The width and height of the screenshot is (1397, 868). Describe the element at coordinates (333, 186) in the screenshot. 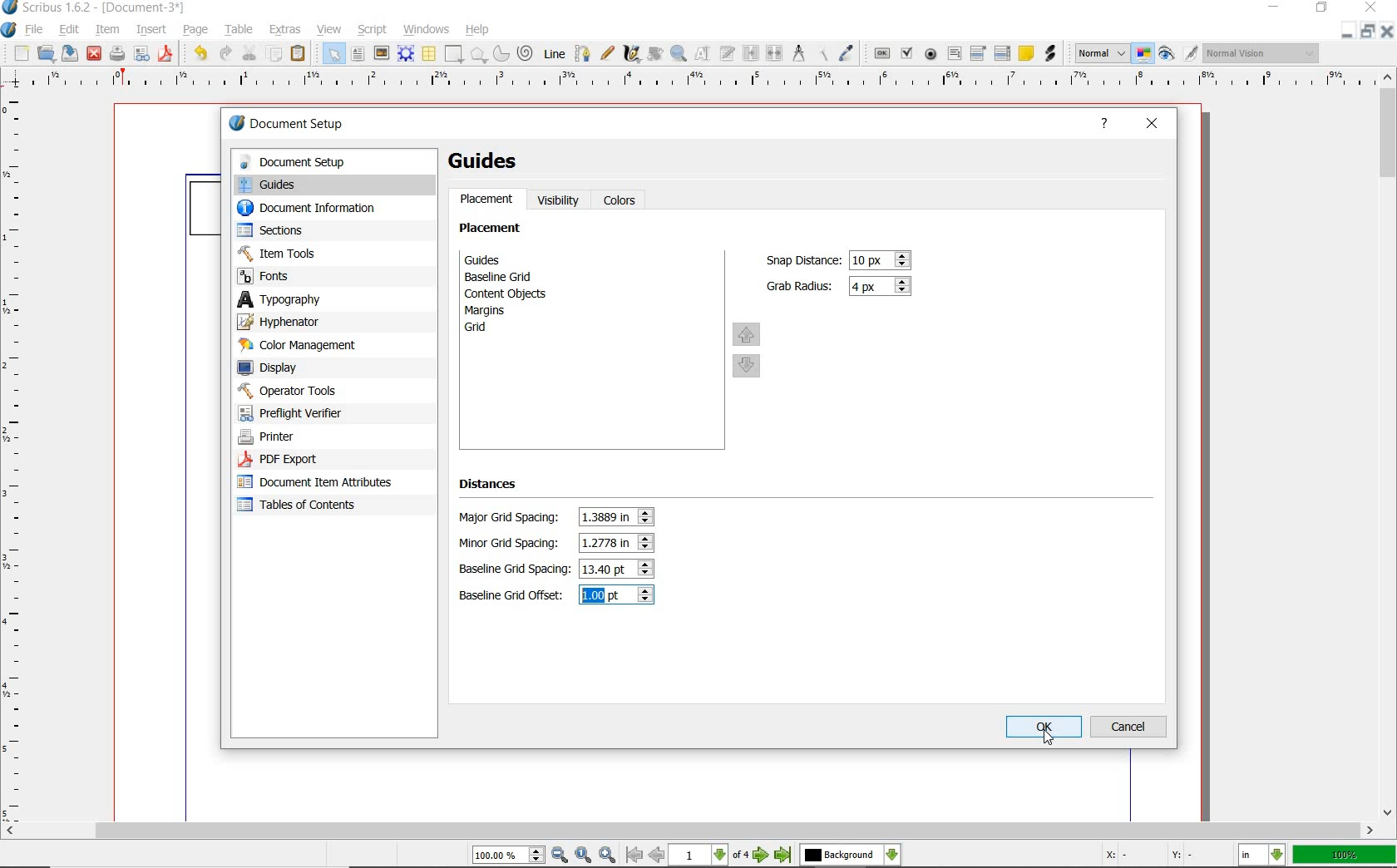

I see `guides` at that location.